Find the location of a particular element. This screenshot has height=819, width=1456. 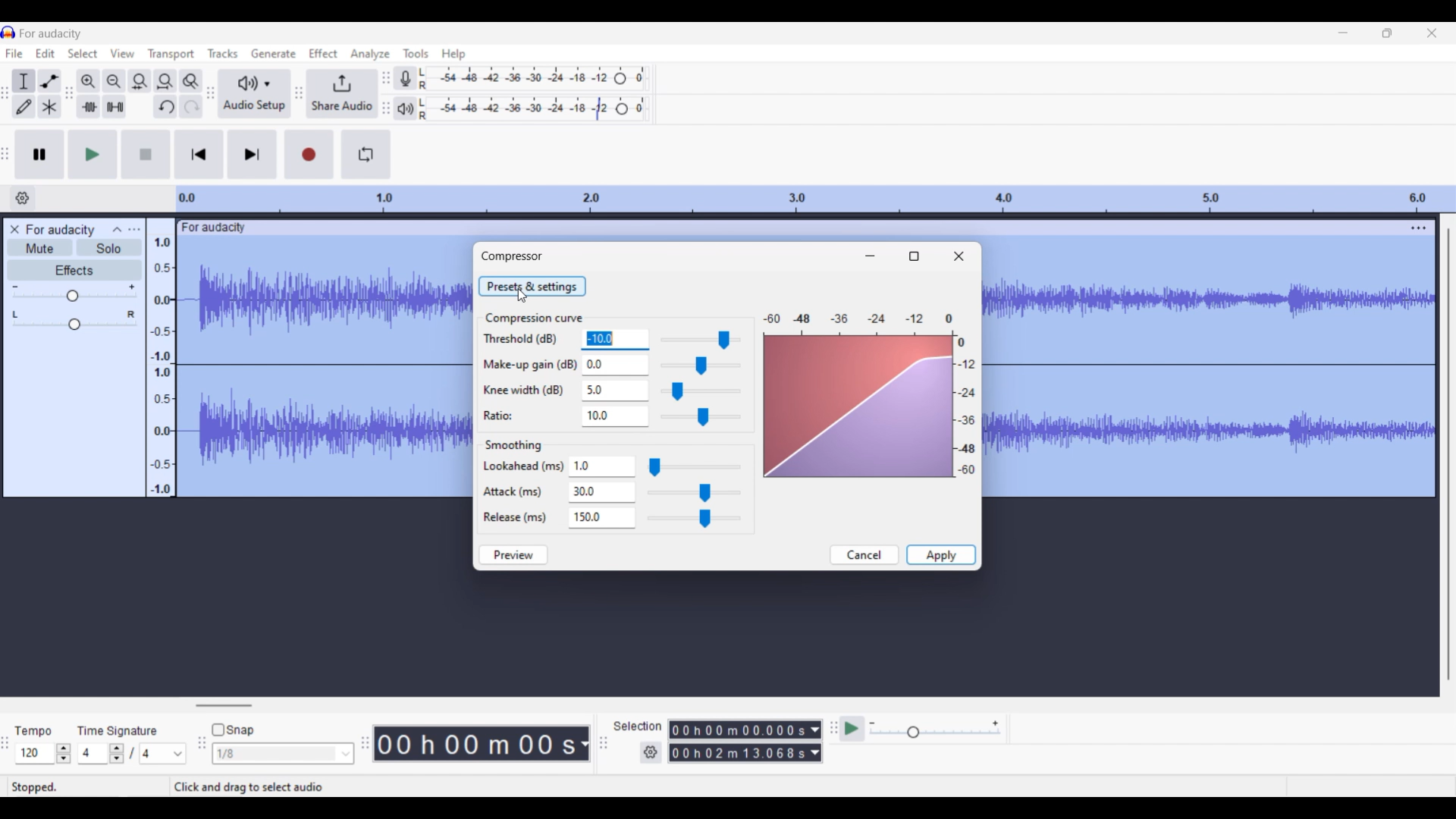

Zoom toggle is located at coordinates (190, 80).